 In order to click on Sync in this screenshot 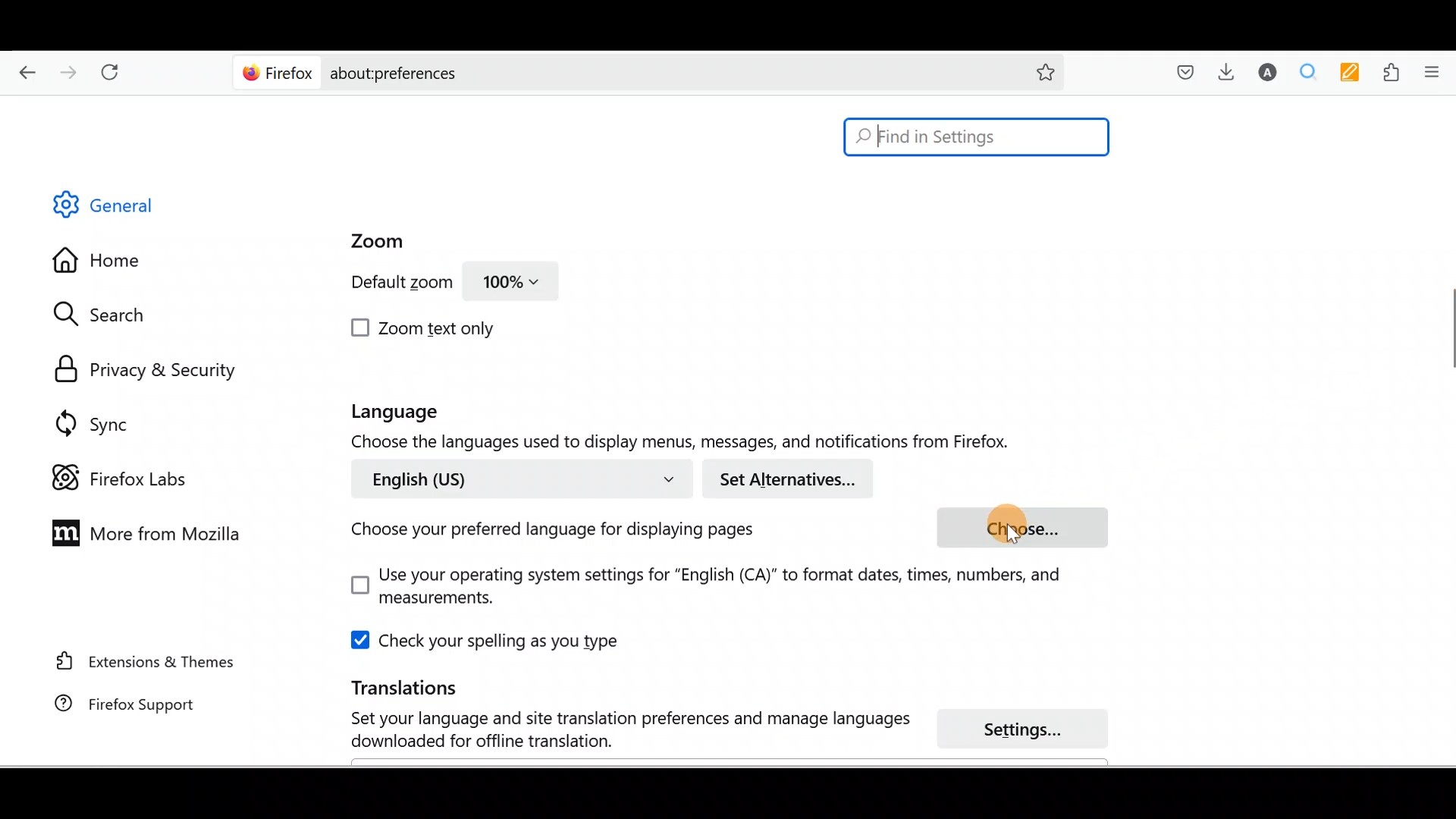, I will do `click(95, 423)`.